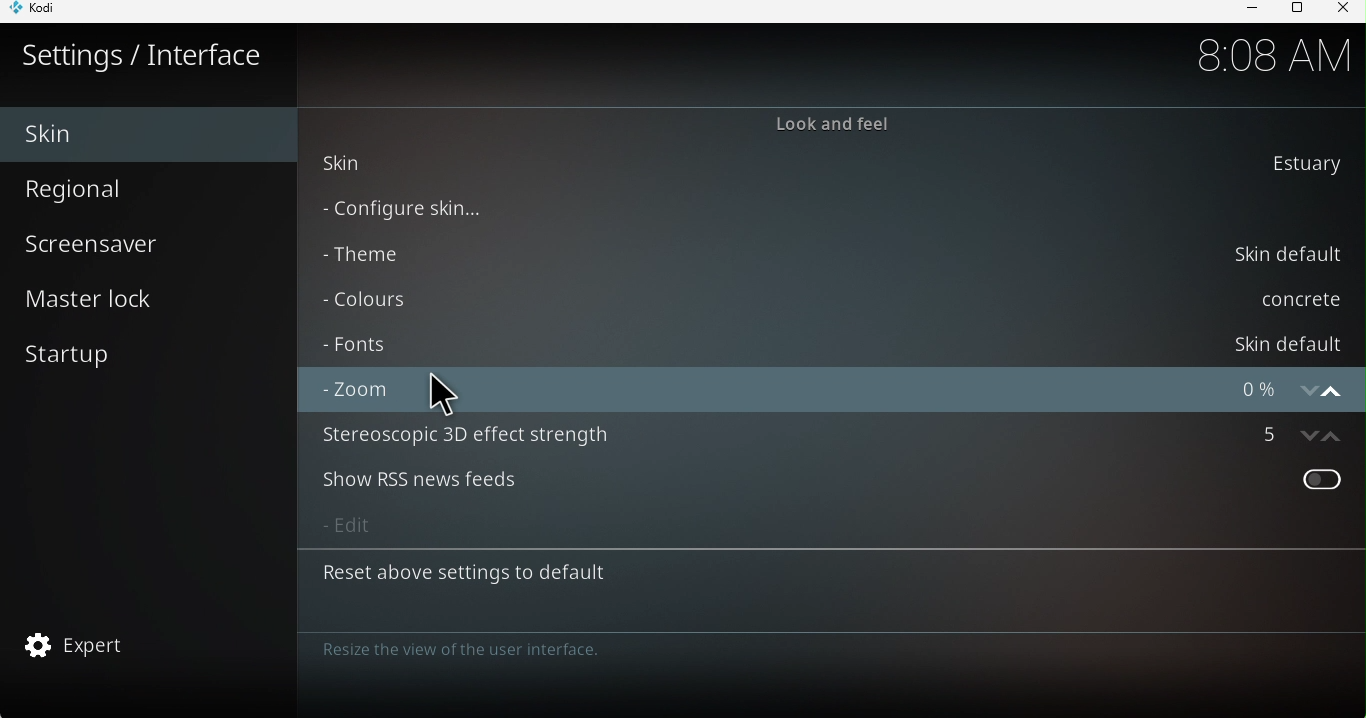 This screenshot has width=1366, height=718. What do you see at coordinates (828, 480) in the screenshot?
I see `Show RSS news feeds` at bounding box center [828, 480].